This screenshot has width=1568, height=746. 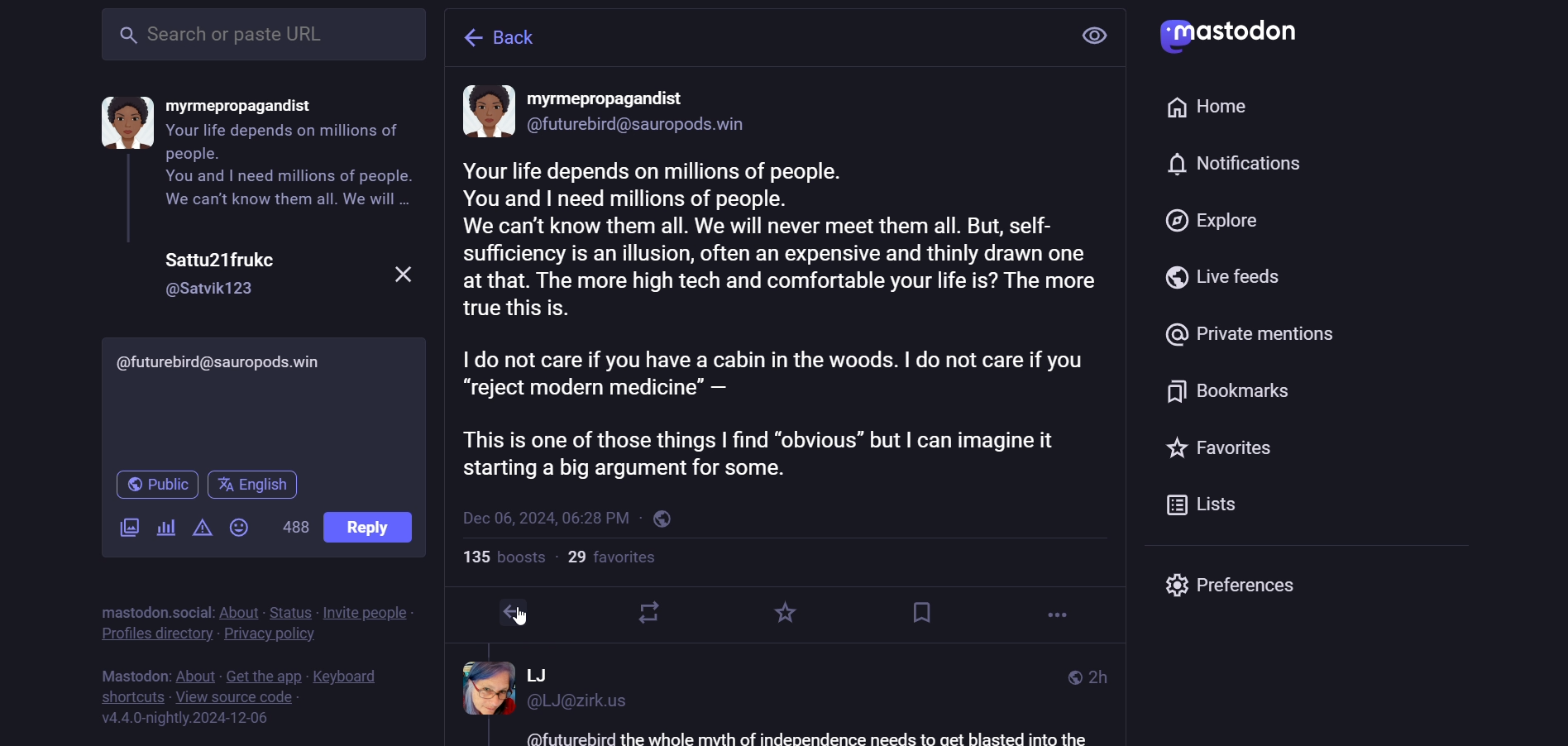 I want to click on id, so click(x=642, y=127).